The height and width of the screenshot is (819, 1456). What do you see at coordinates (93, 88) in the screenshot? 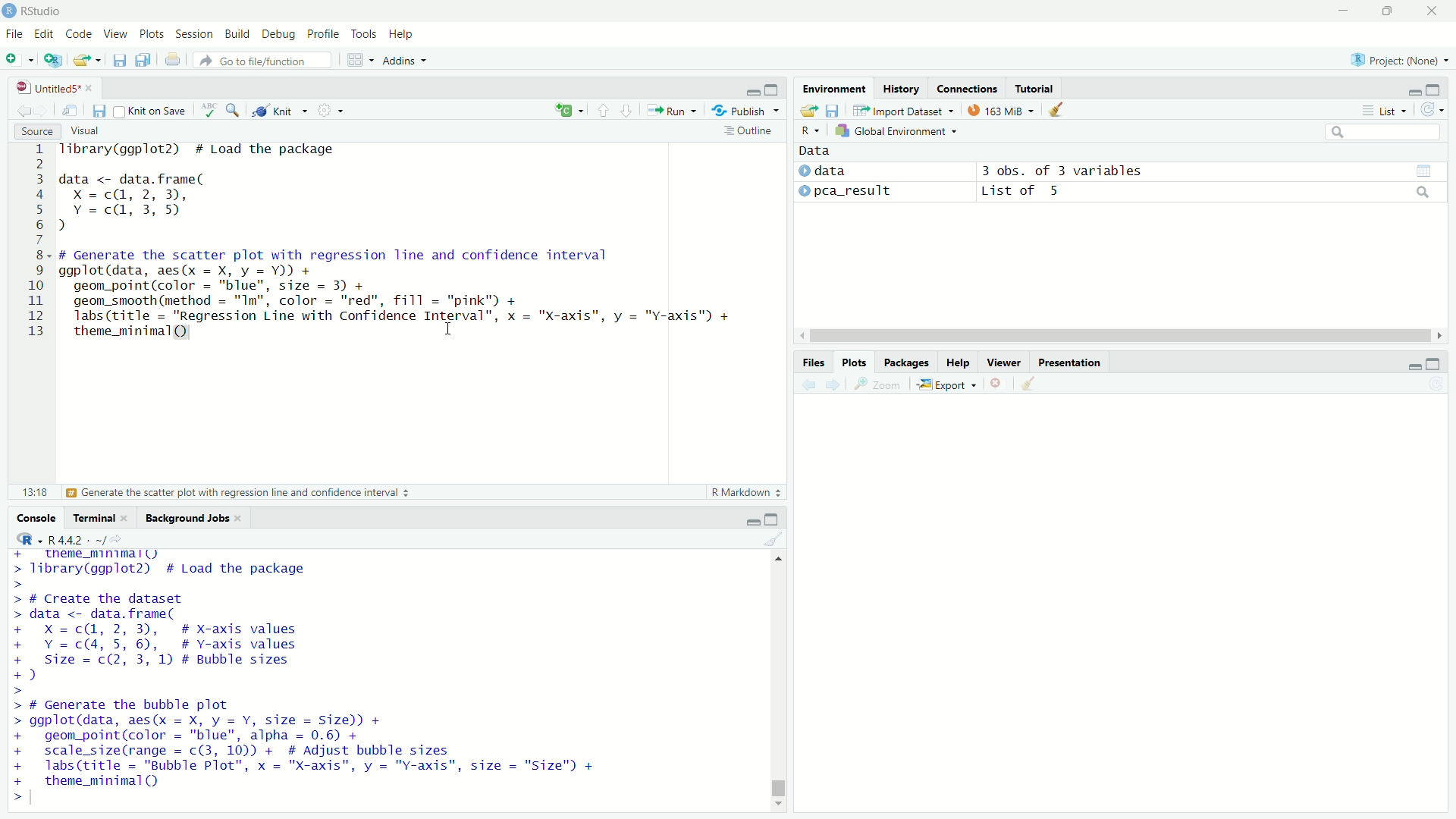
I see `close` at bounding box center [93, 88].